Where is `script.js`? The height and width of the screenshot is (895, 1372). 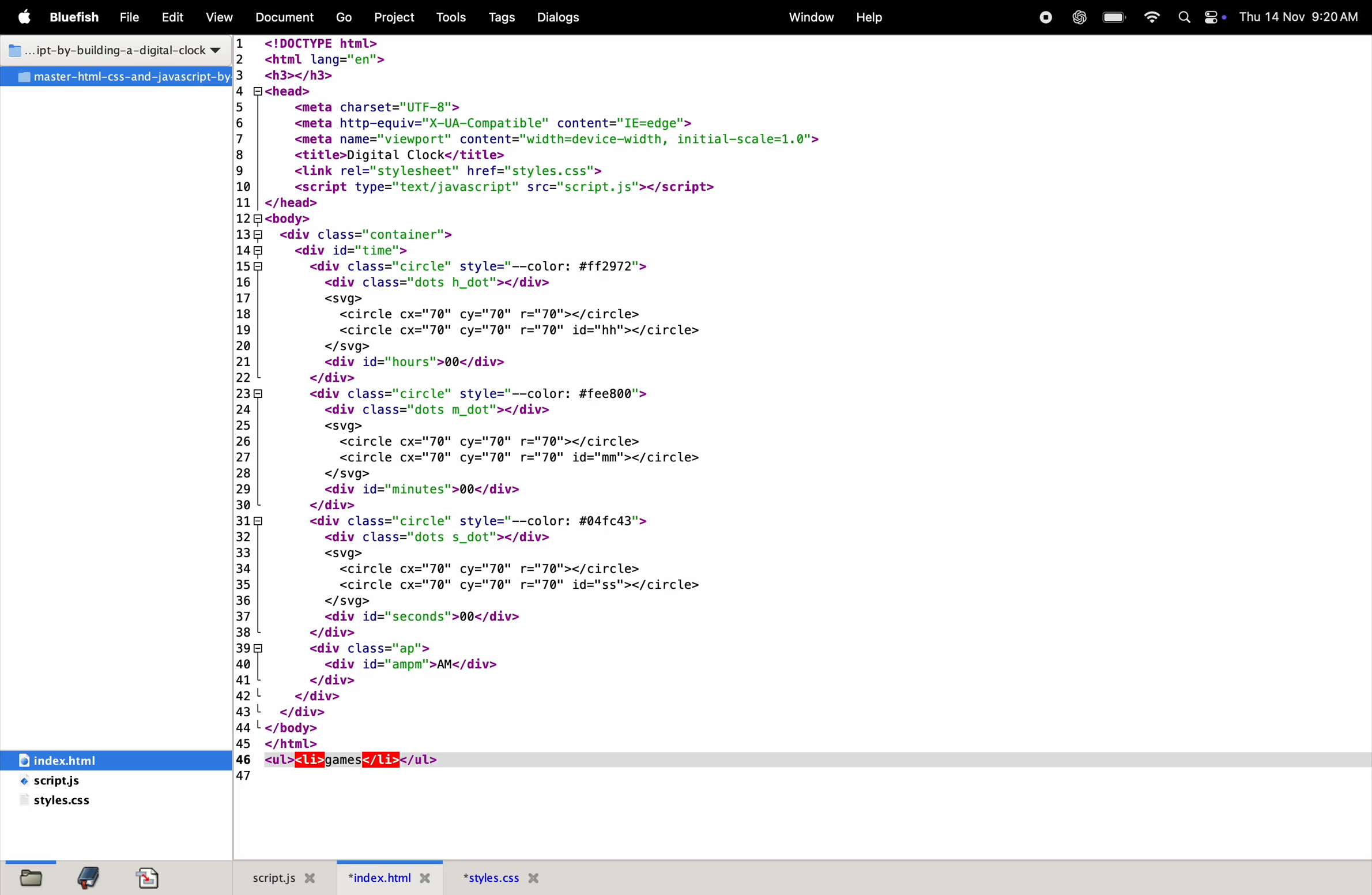
script.js is located at coordinates (80, 782).